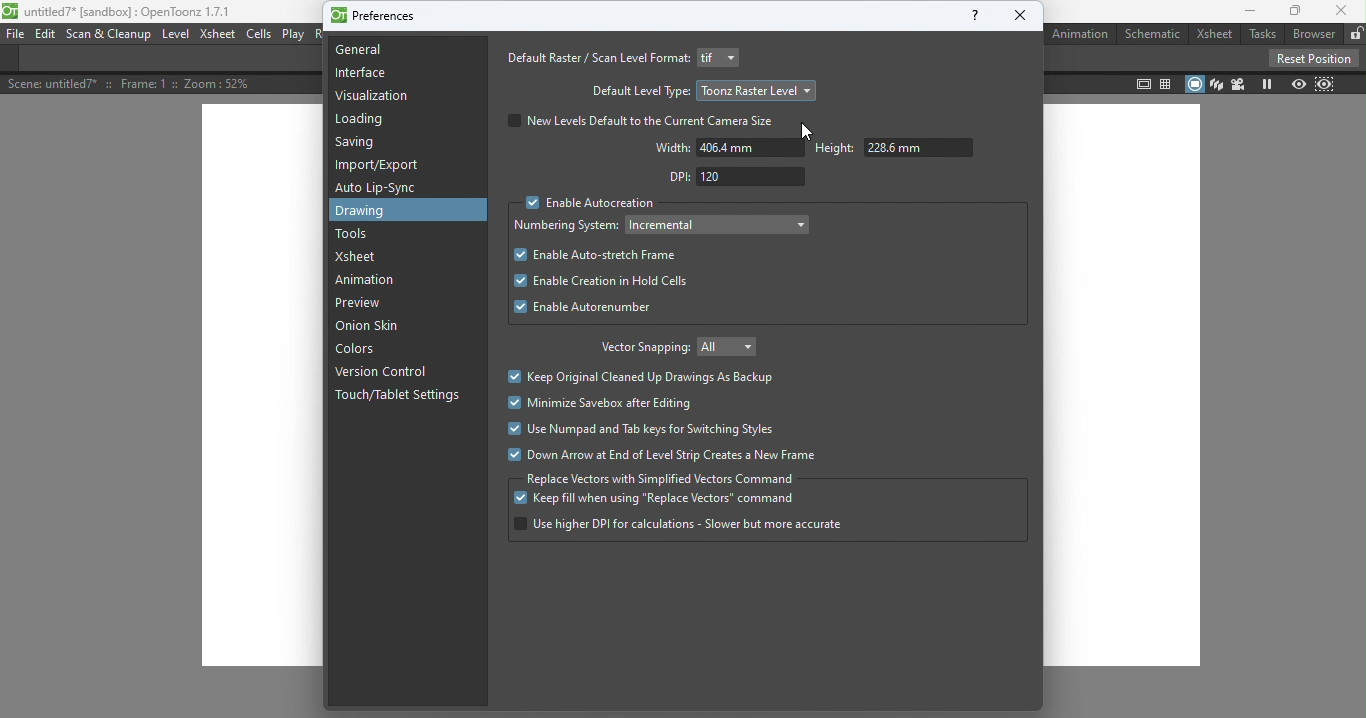 This screenshot has width=1366, height=718. Describe the element at coordinates (11, 12) in the screenshot. I see `logo` at that location.